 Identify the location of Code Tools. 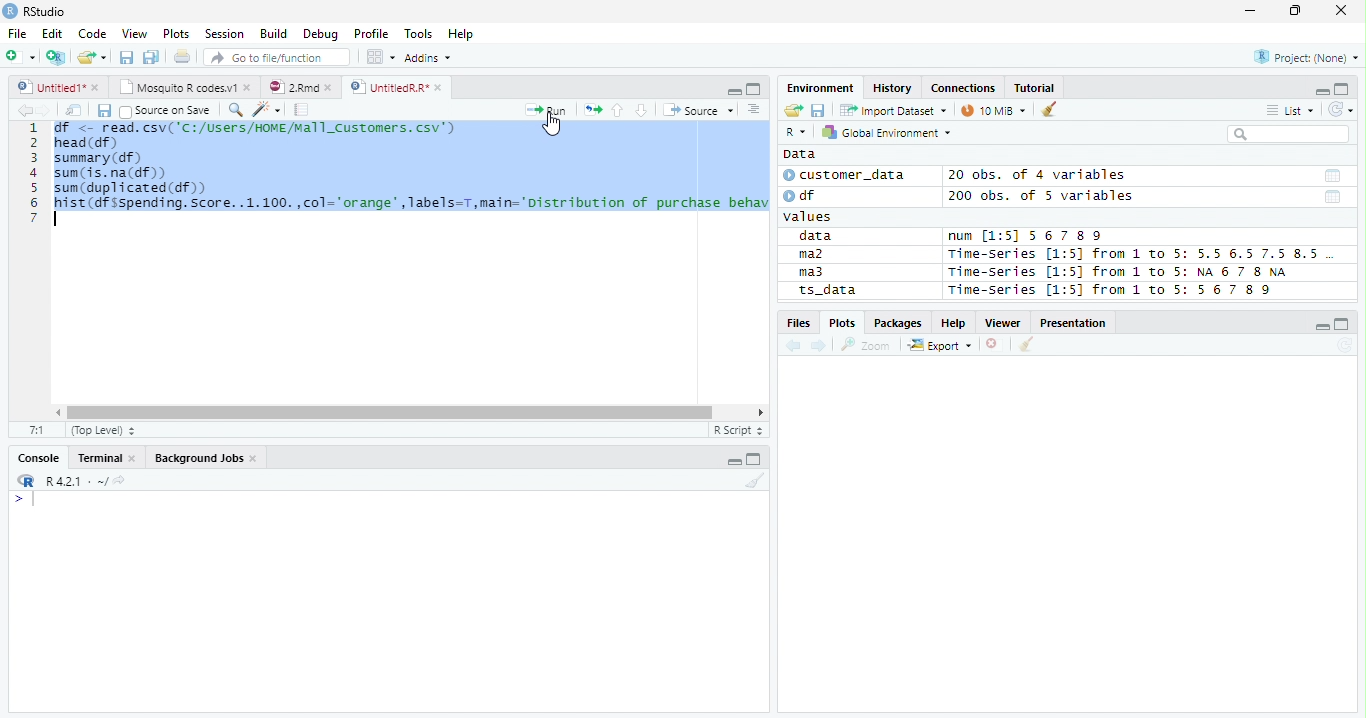
(266, 110).